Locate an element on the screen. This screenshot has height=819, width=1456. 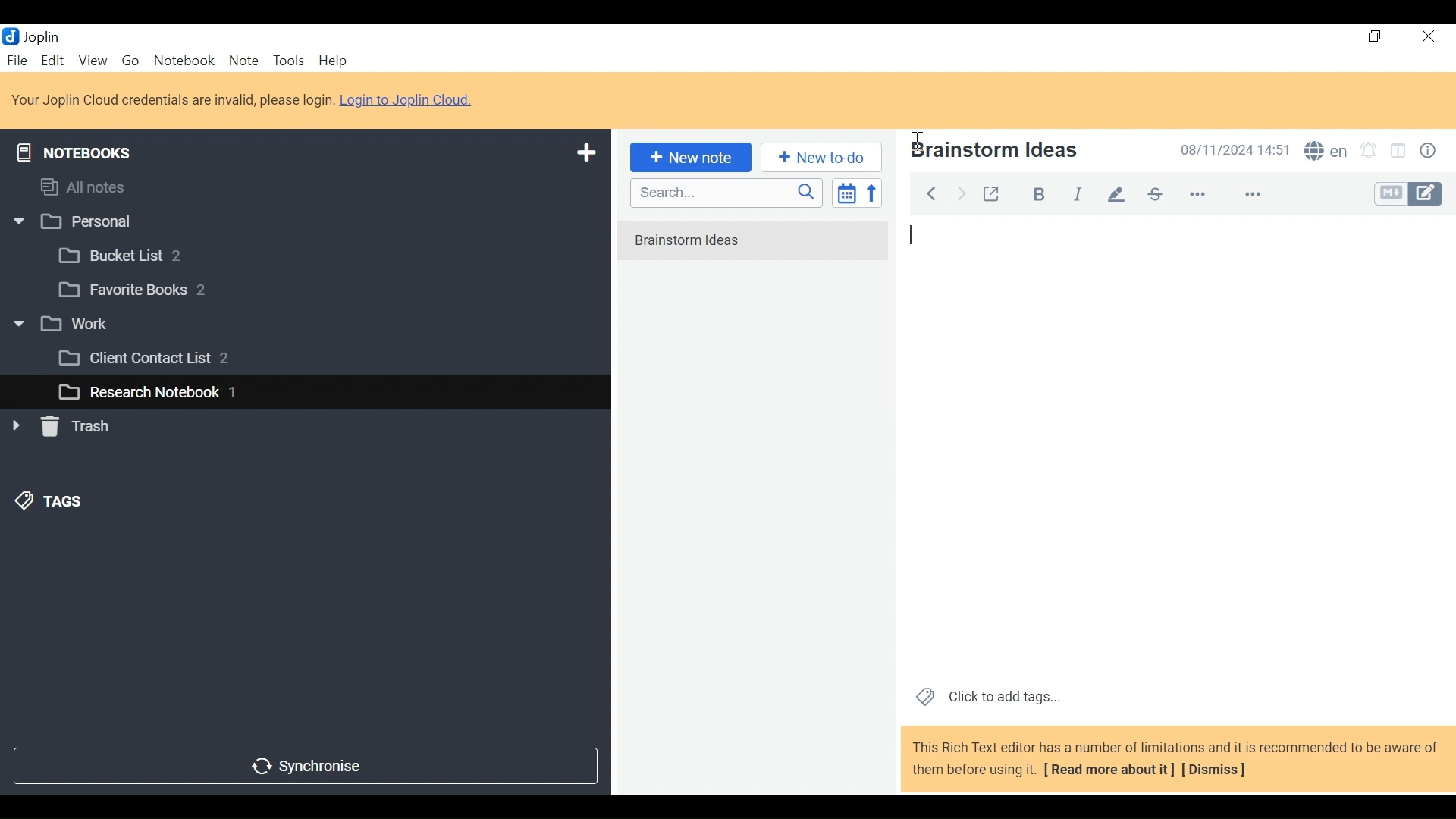
Reverse Sort order is located at coordinates (875, 193).